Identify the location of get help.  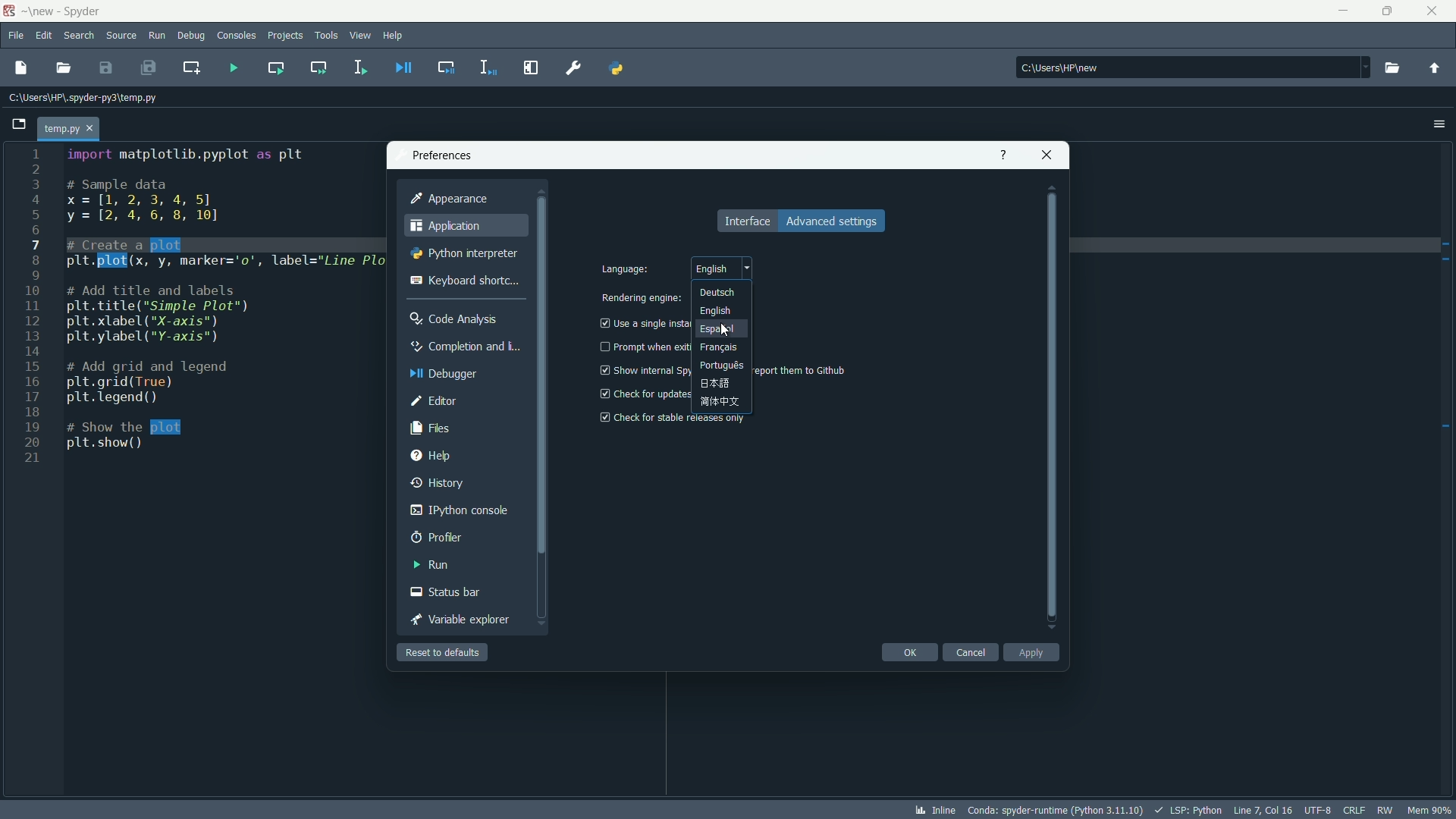
(1002, 155).